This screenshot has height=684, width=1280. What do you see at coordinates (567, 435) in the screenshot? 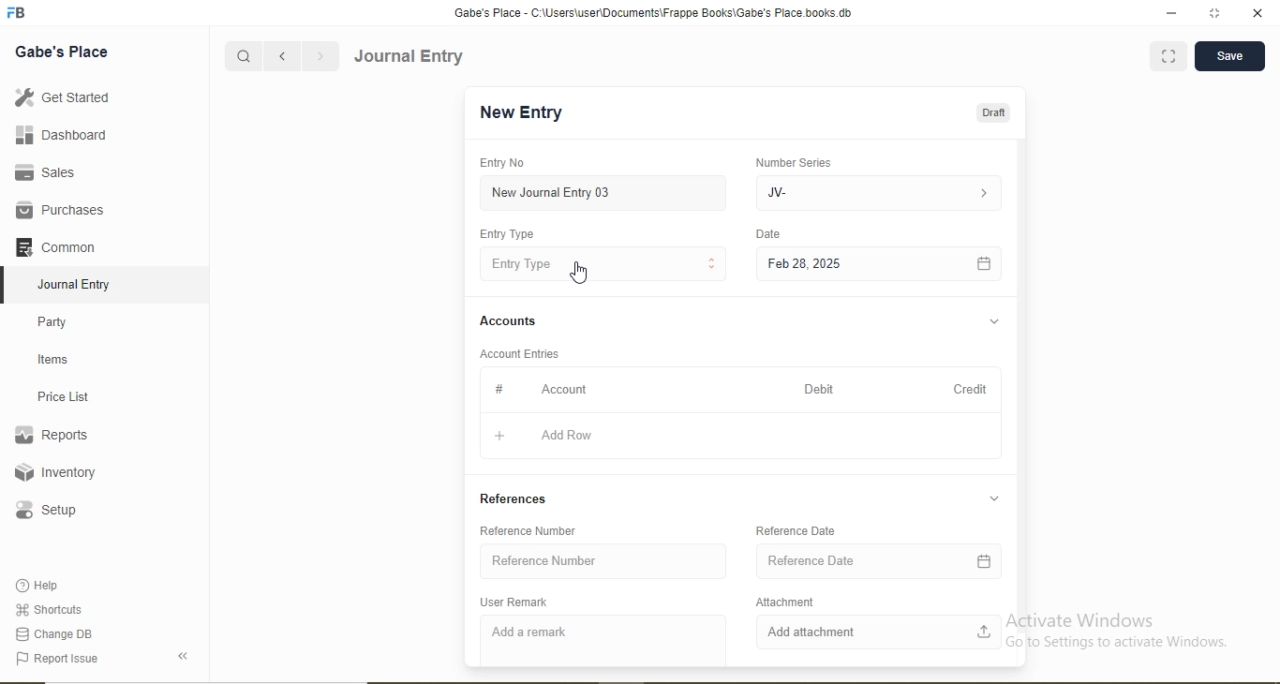
I see `Add Row` at bounding box center [567, 435].